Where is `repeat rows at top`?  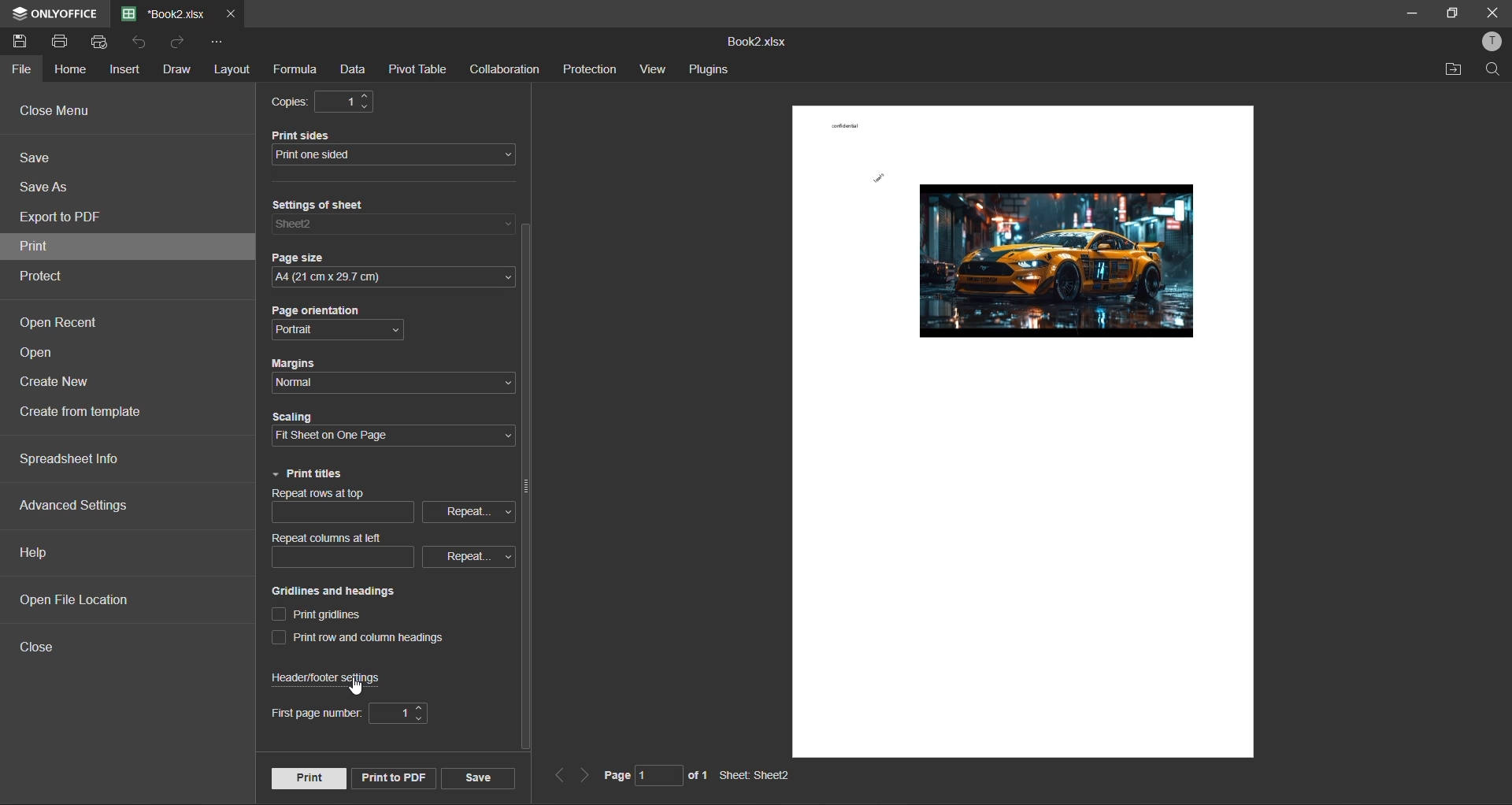 repeat rows at top is located at coordinates (395, 506).